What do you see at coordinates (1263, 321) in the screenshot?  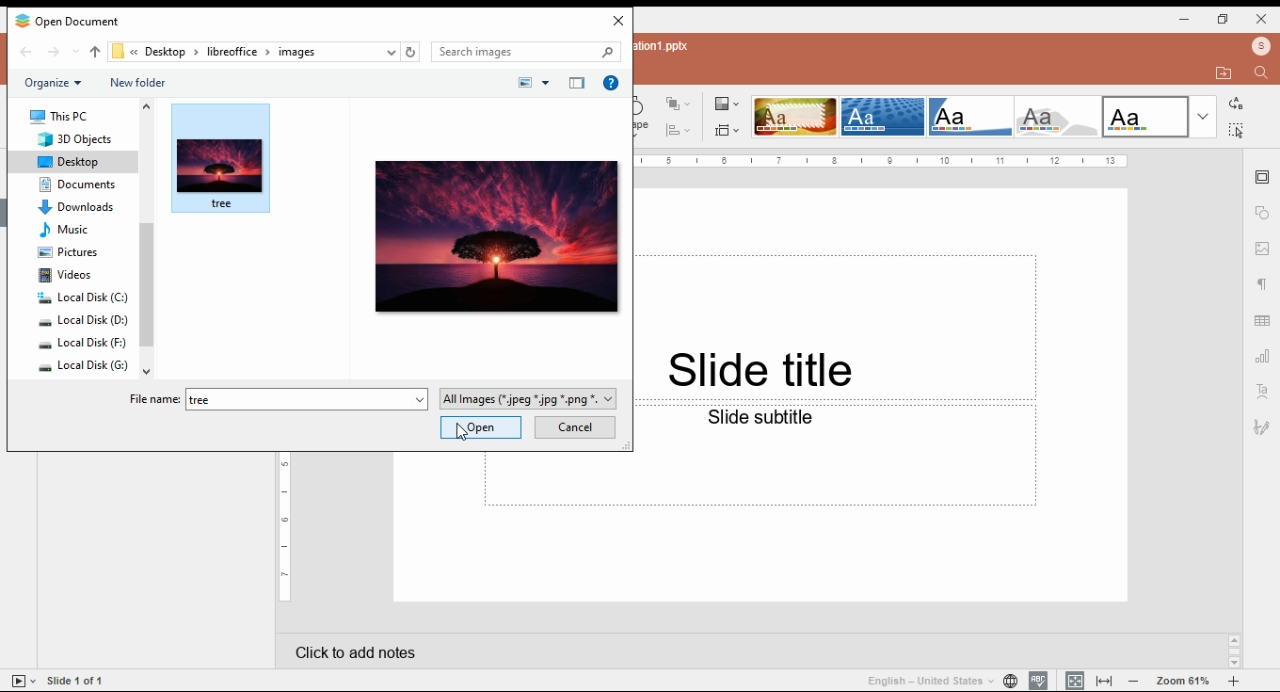 I see `table  settings` at bounding box center [1263, 321].